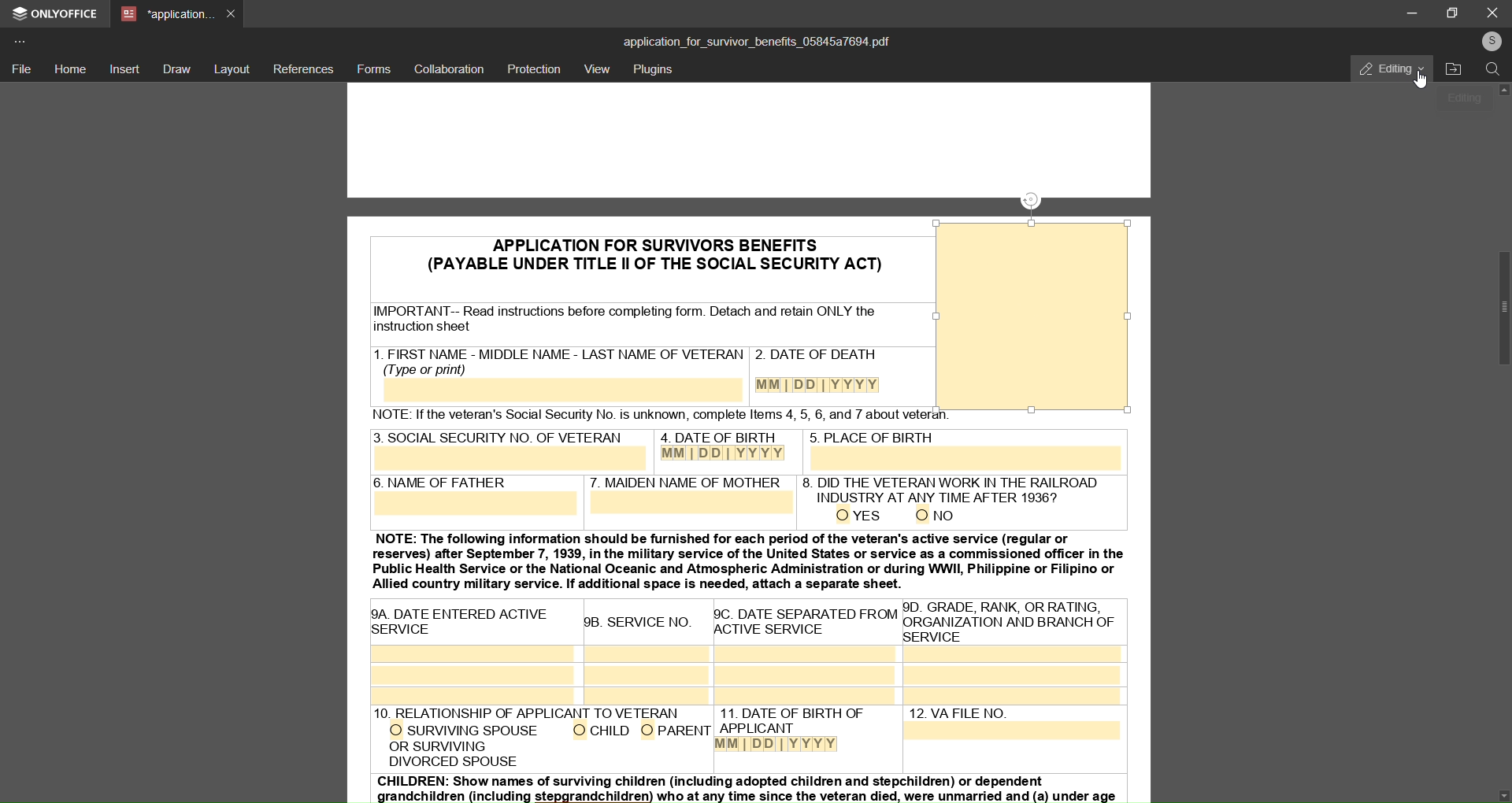  What do you see at coordinates (750, 615) in the screenshot?
I see `PDF of application for survivors benefits` at bounding box center [750, 615].